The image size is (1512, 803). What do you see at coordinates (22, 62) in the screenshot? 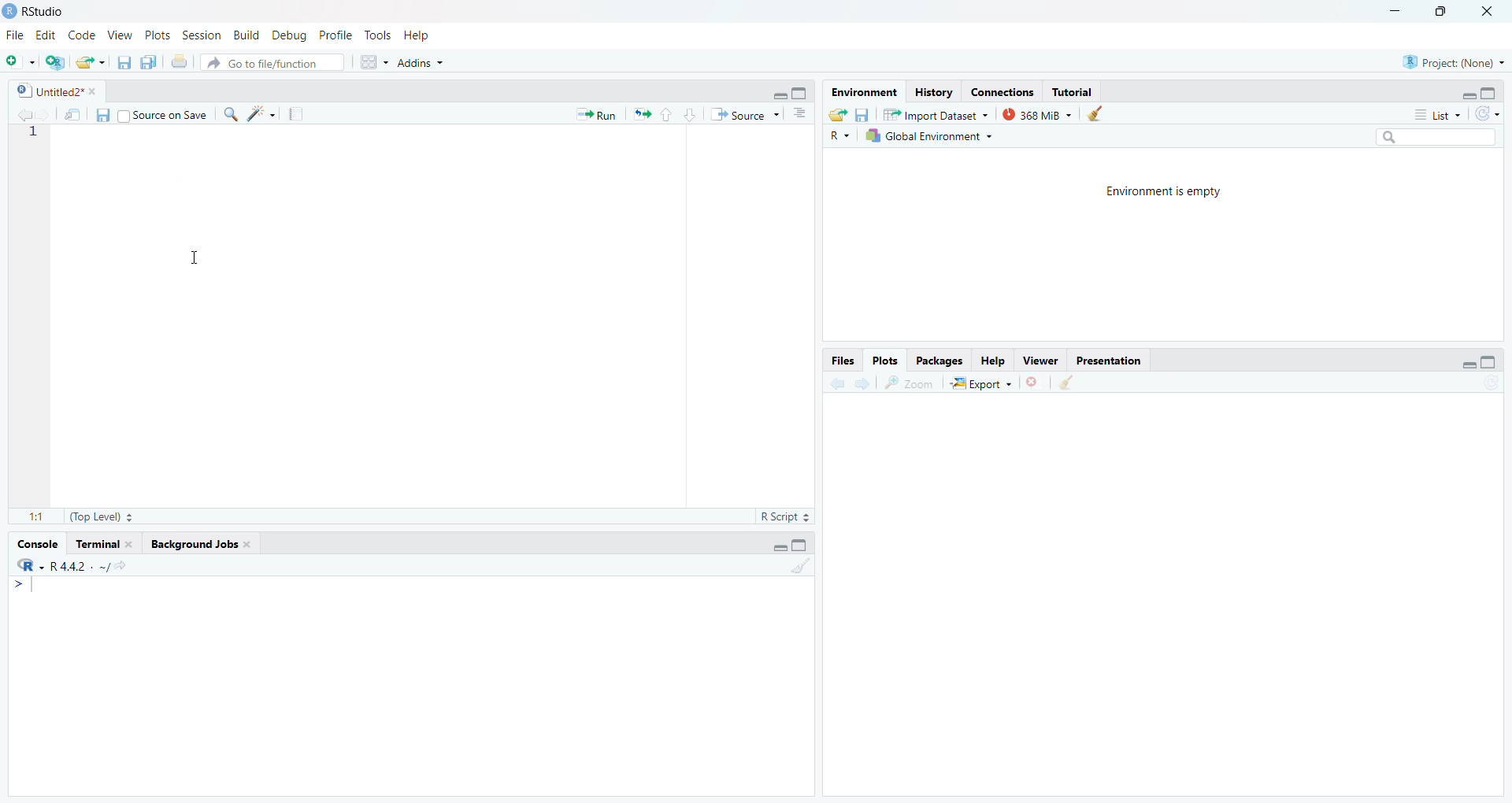
I see `add` at bounding box center [22, 62].